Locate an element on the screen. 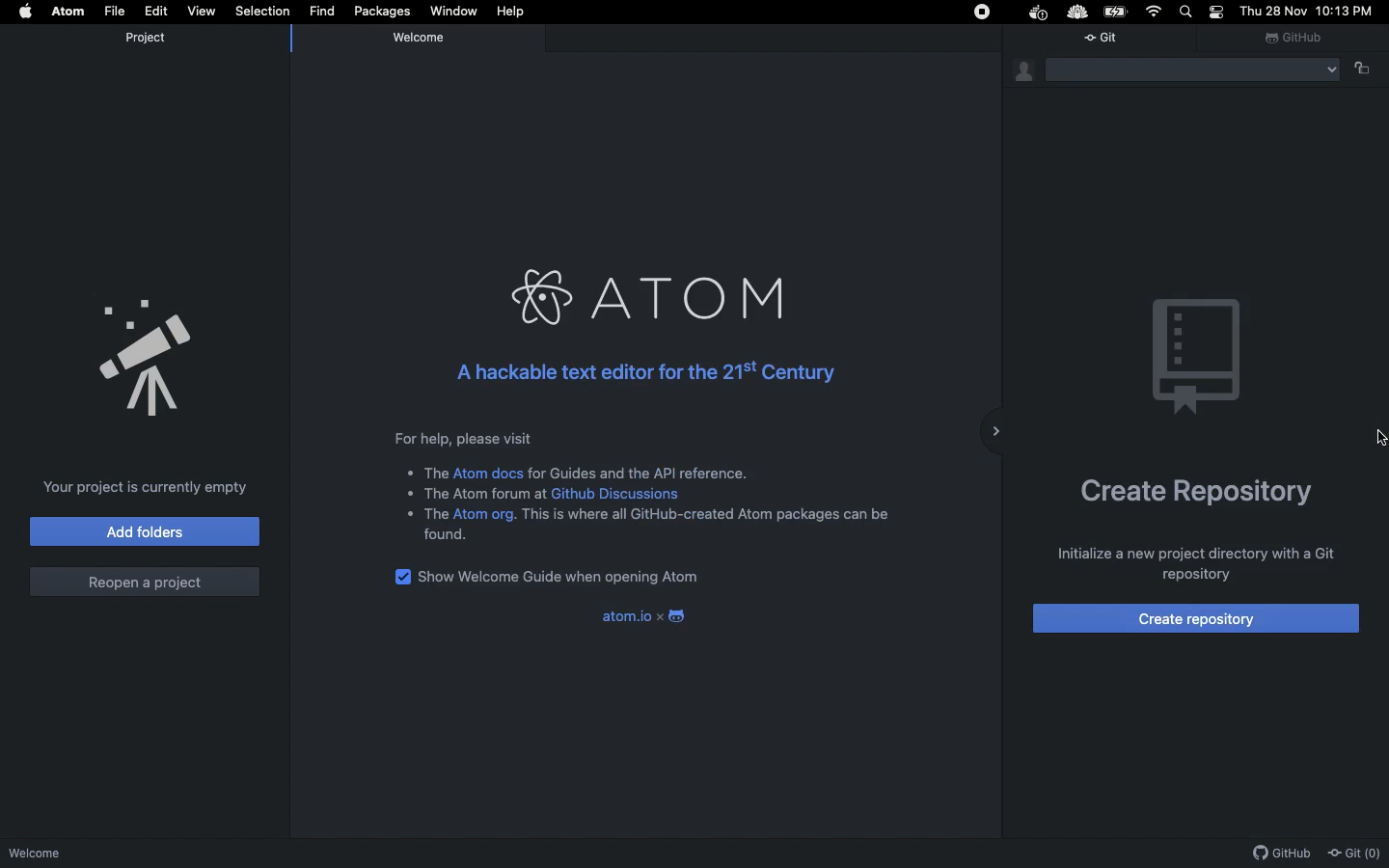  Edit is located at coordinates (156, 11).